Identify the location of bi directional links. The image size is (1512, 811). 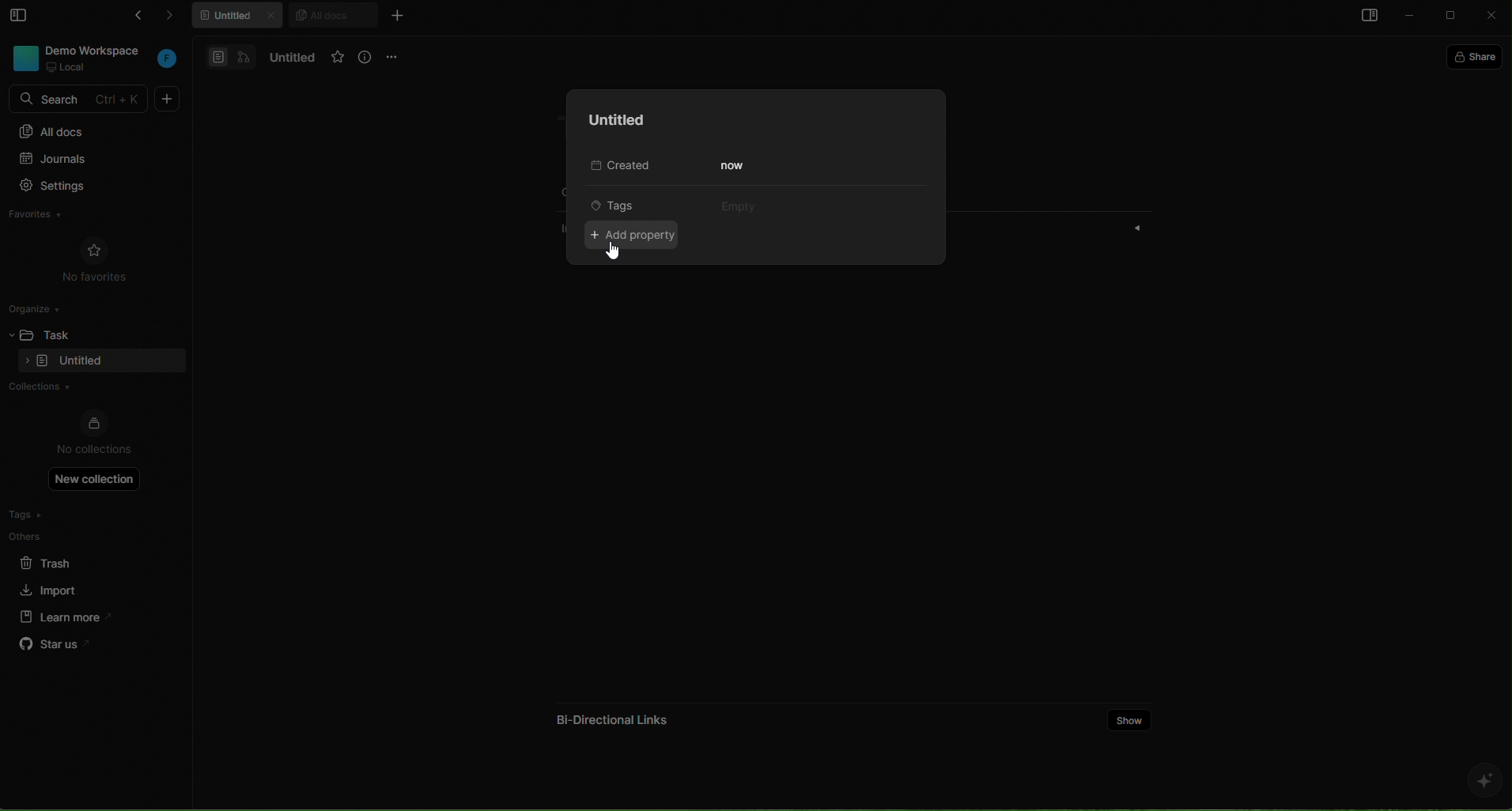
(609, 715).